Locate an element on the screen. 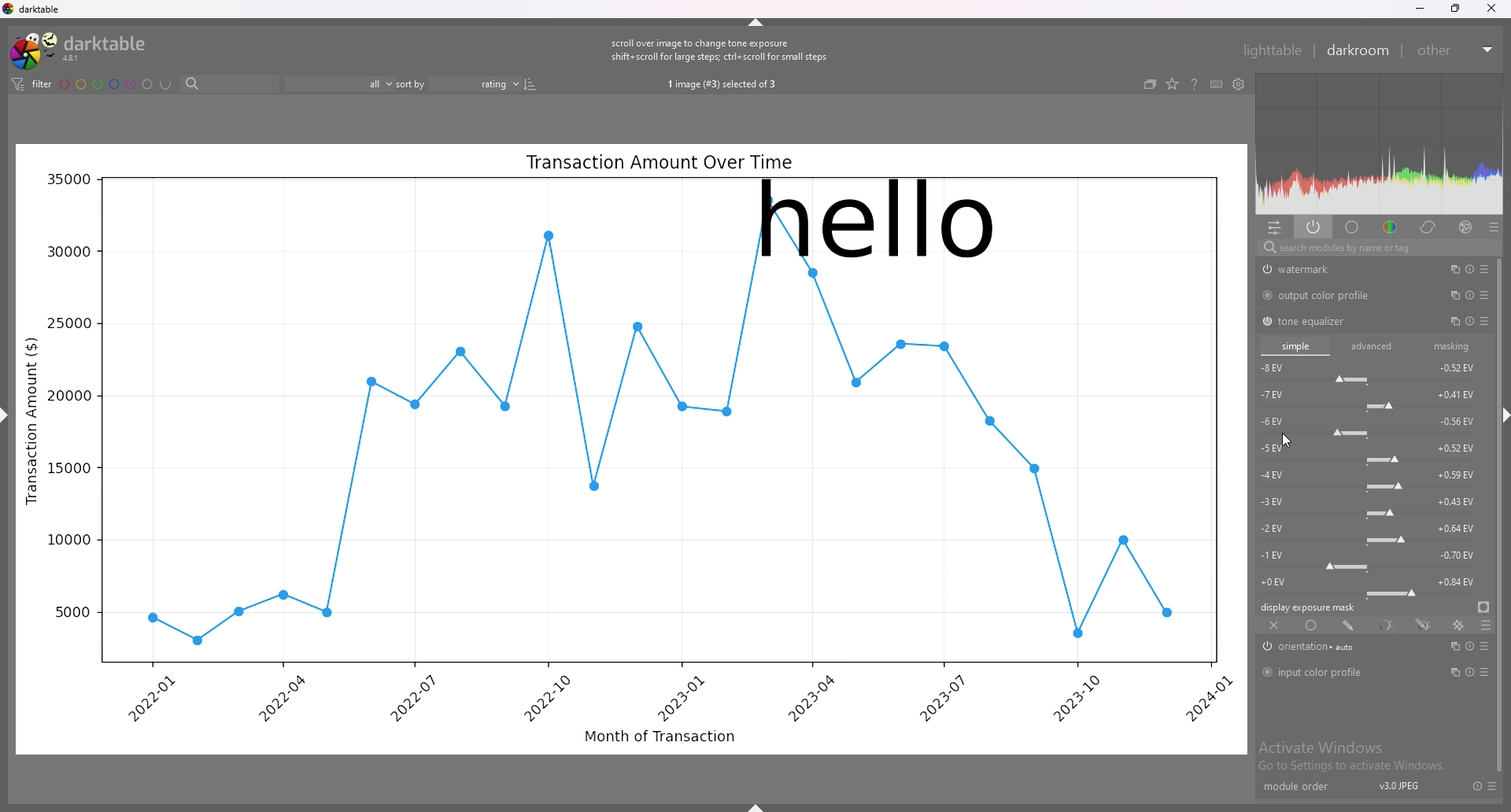 Image resolution: width=1511 pixels, height=812 pixels. -5 EV force is located at coordinates (1372, 452).